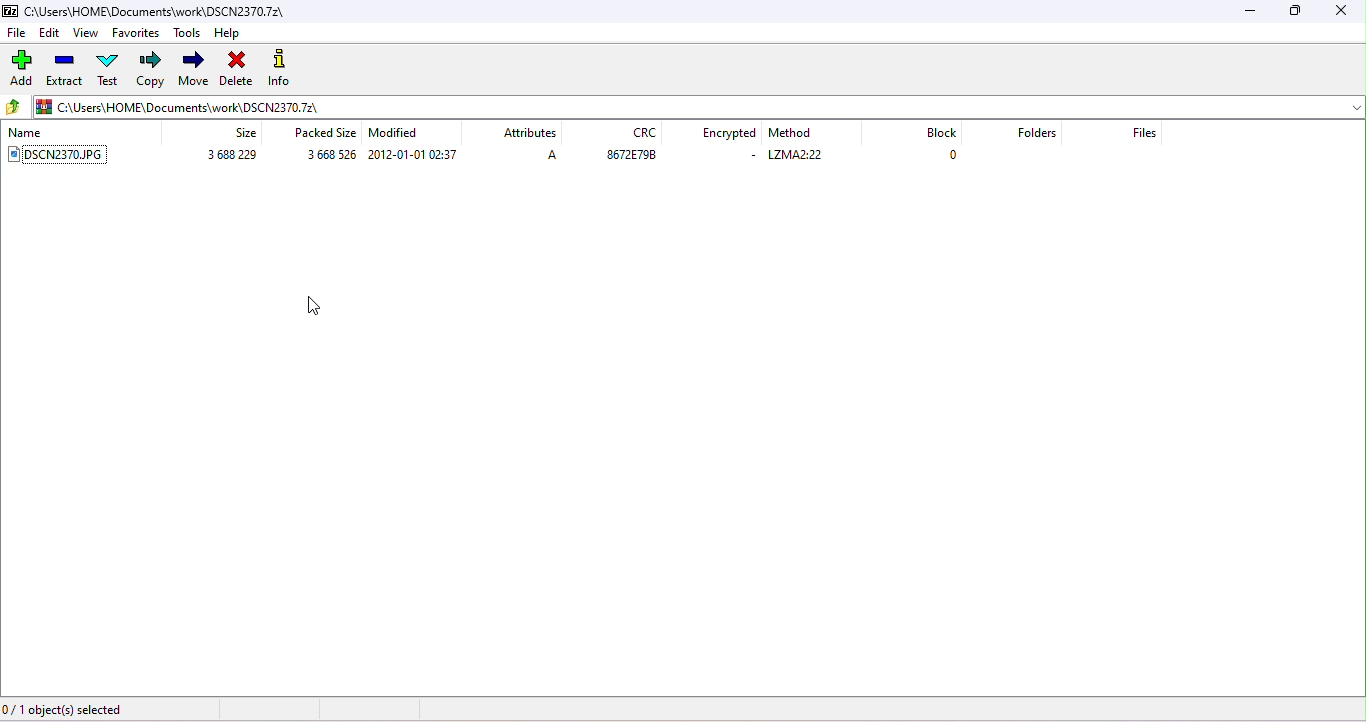 The image size is (1366, 722). I want to click on move, so click(195, 68).